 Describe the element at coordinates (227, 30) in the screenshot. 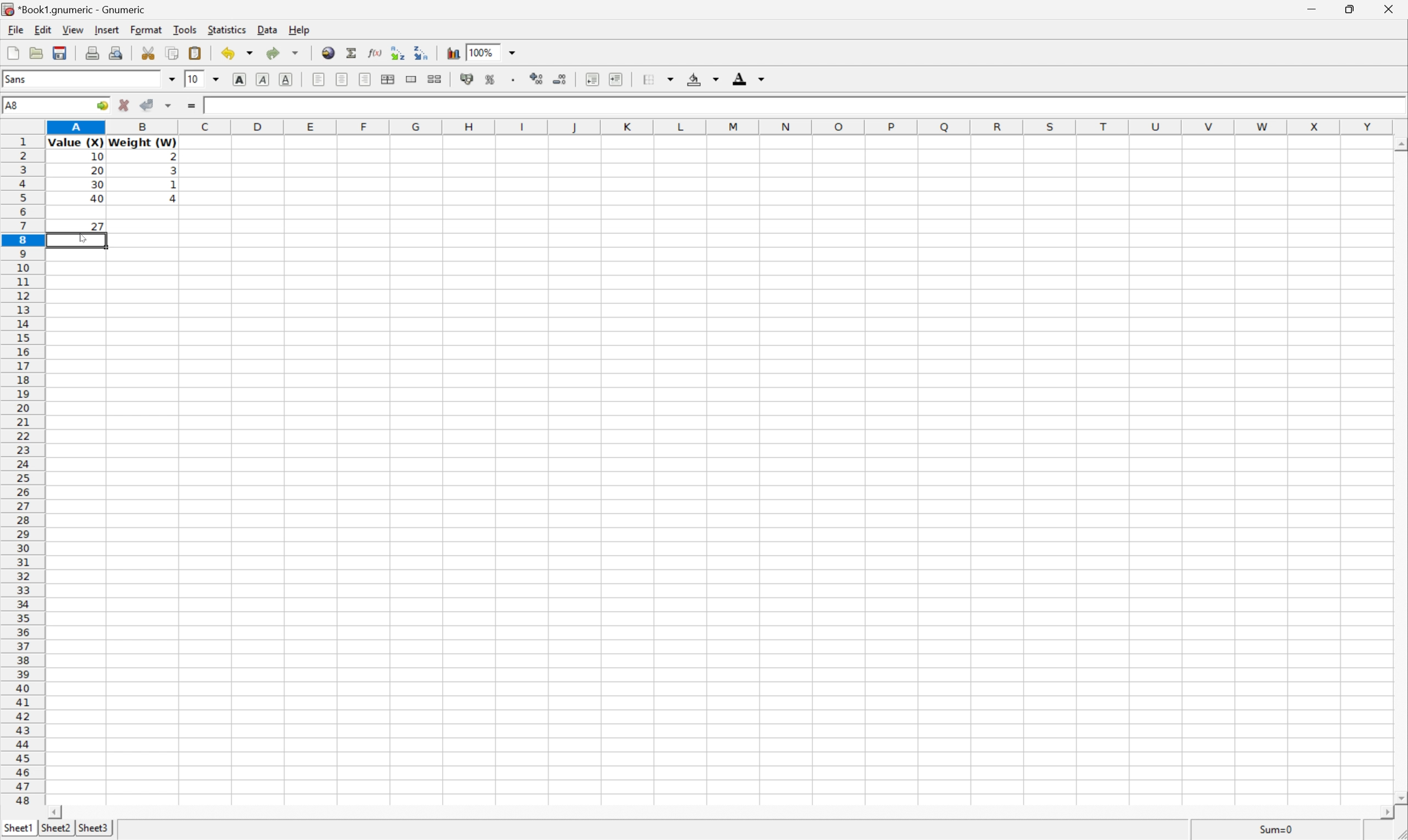

I see `Statistics` at that location.